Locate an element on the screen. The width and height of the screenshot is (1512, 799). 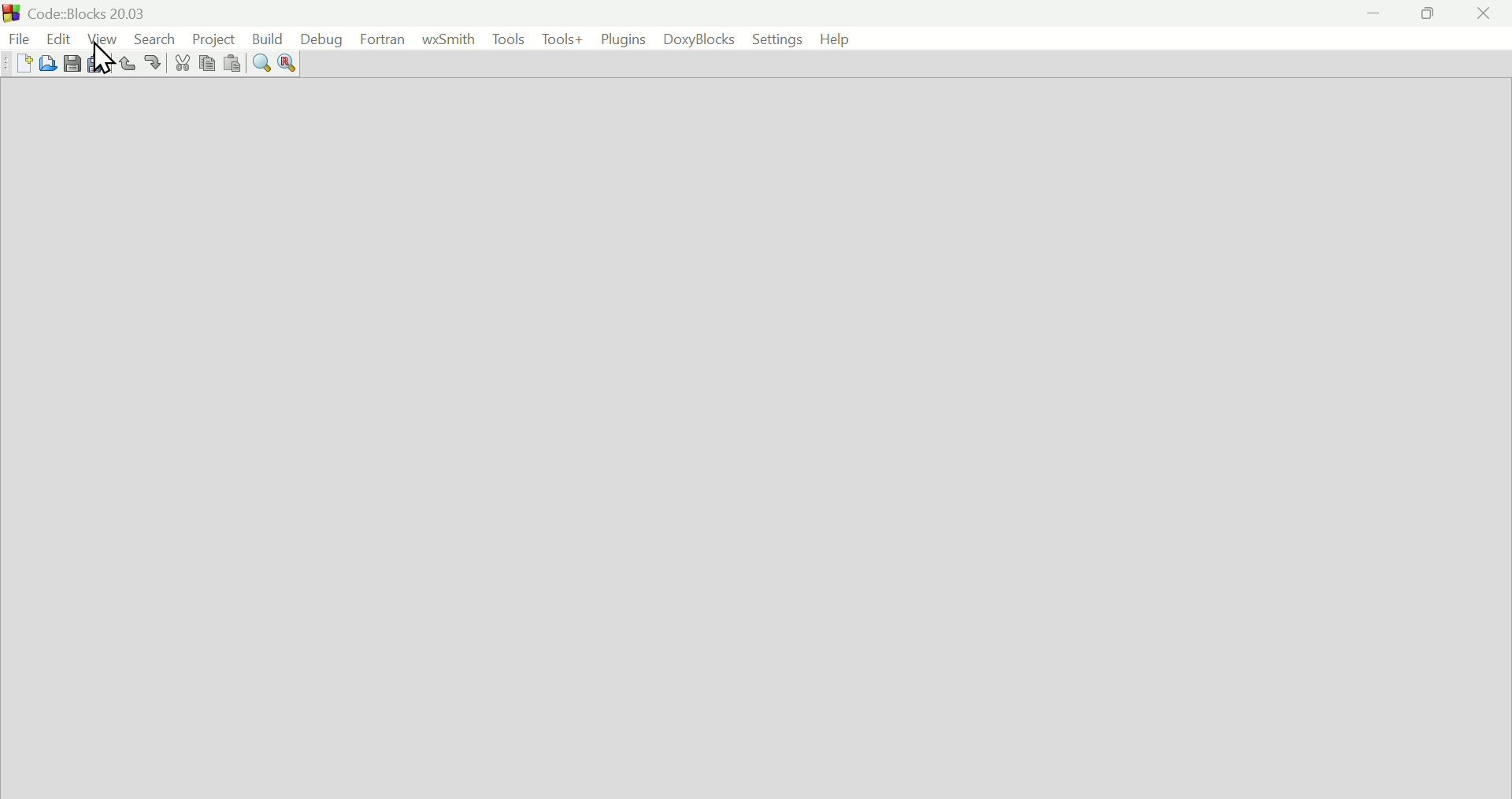
Close is located at coordinates (1483, 13).